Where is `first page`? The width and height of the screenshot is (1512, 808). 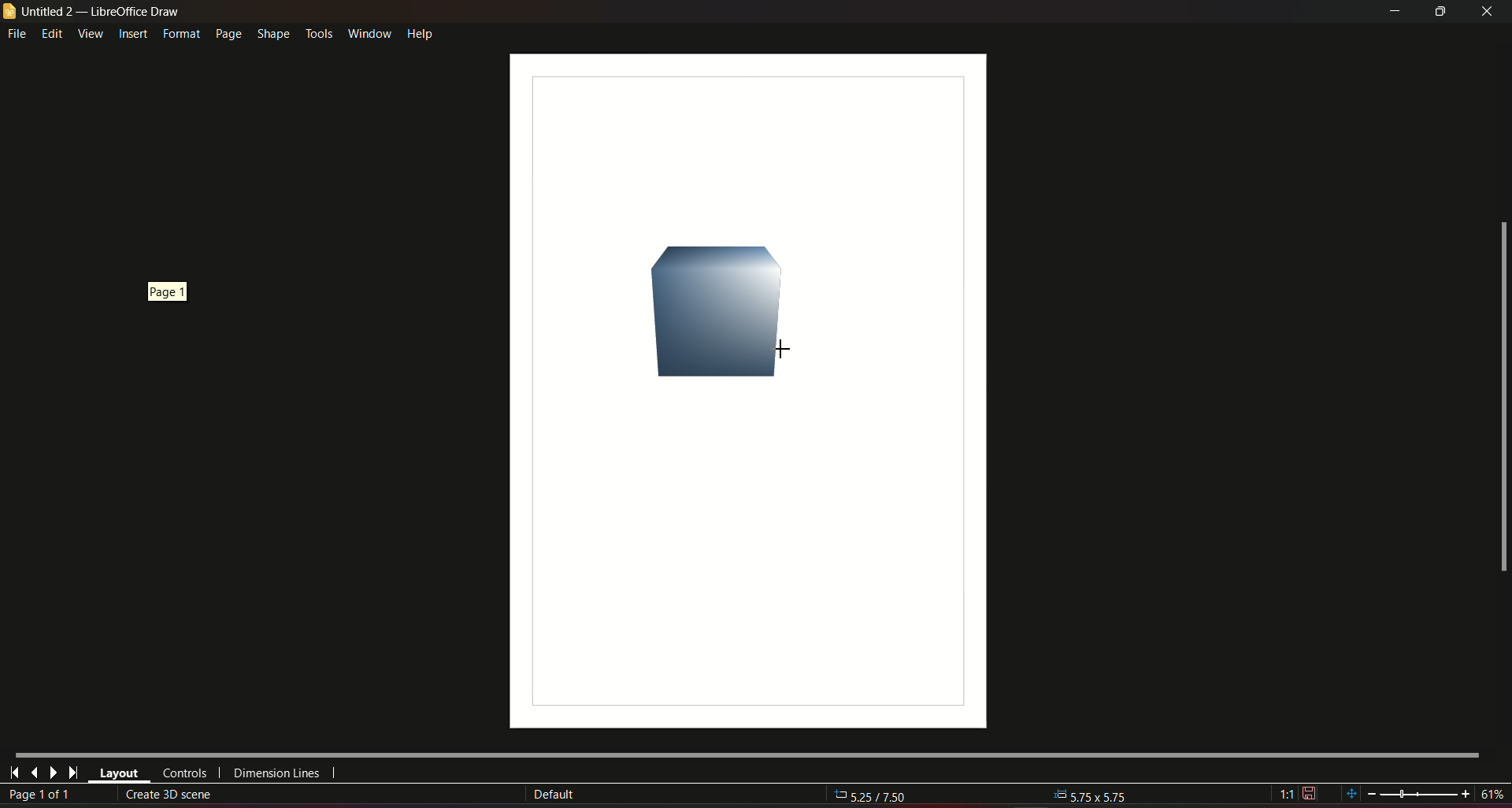
first page is located at coordinates (15, 771).